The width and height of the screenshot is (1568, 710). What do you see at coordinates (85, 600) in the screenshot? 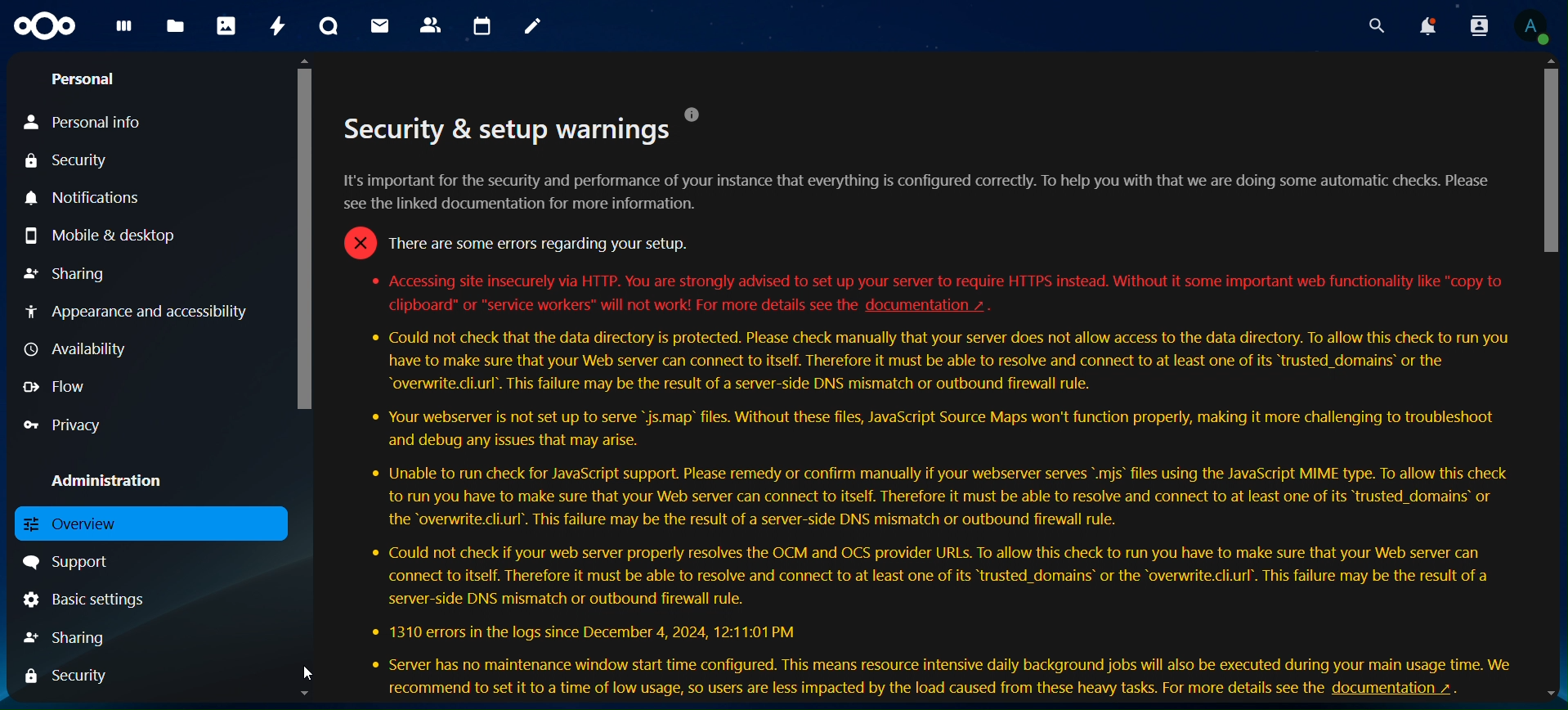
I see `basic settings` at bounding box center [85, 600].